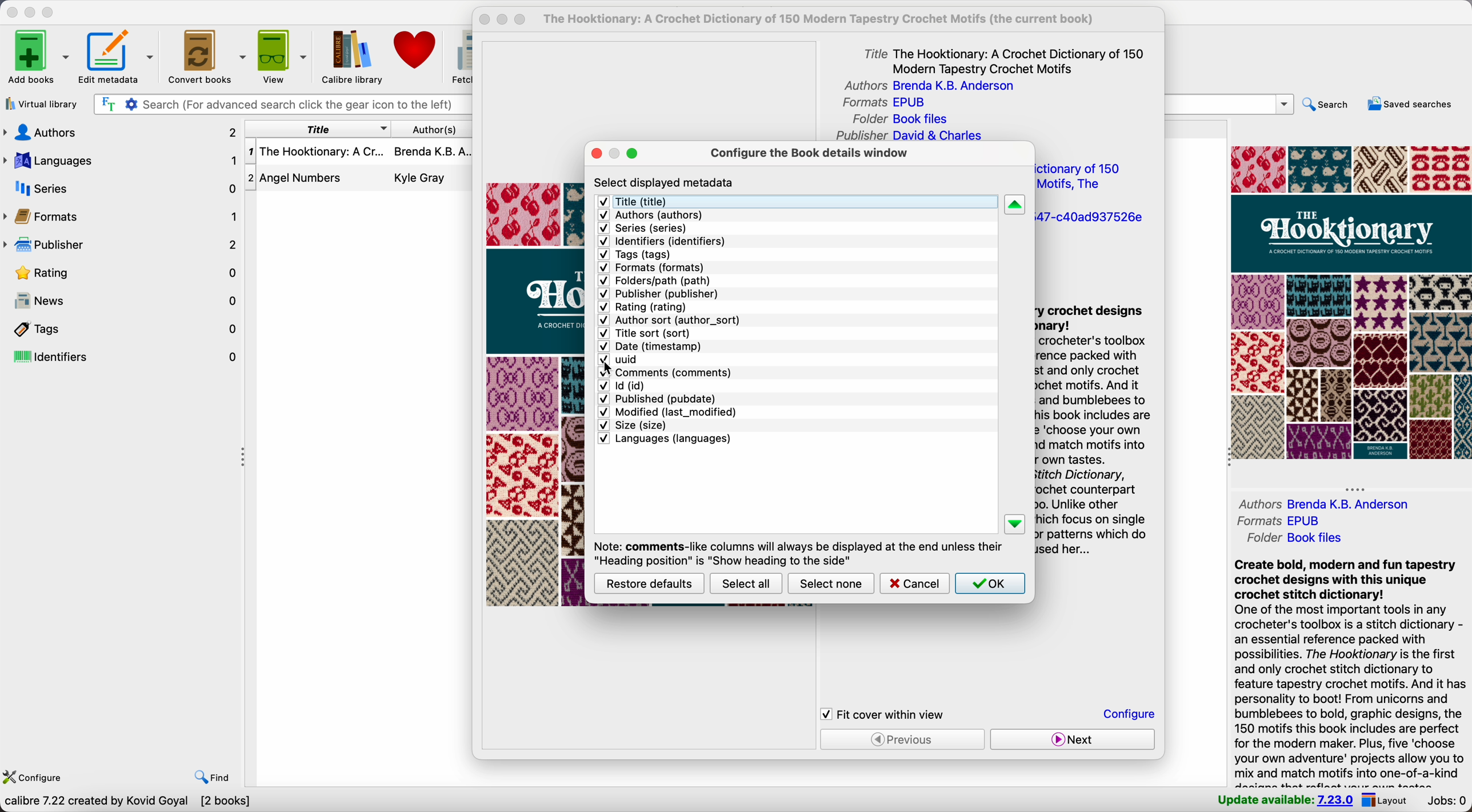 The height and width of the screenshot is (812, 1472). What do you see at coordinates (659, 398) in the screenshot?
I see `published` at bounding box center [659, 398].